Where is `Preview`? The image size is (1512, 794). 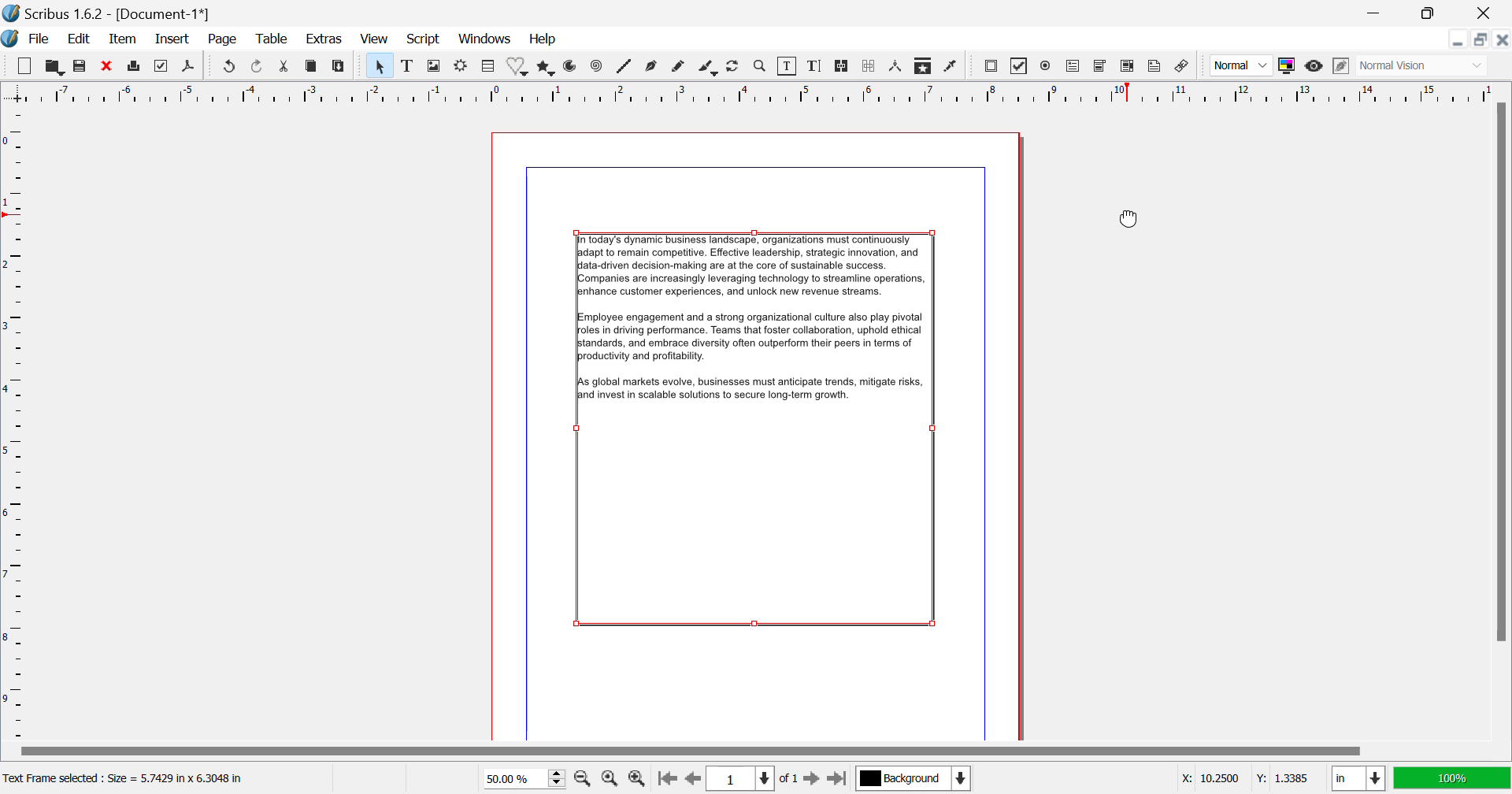
Preview is located at coordinates (1314, 66).